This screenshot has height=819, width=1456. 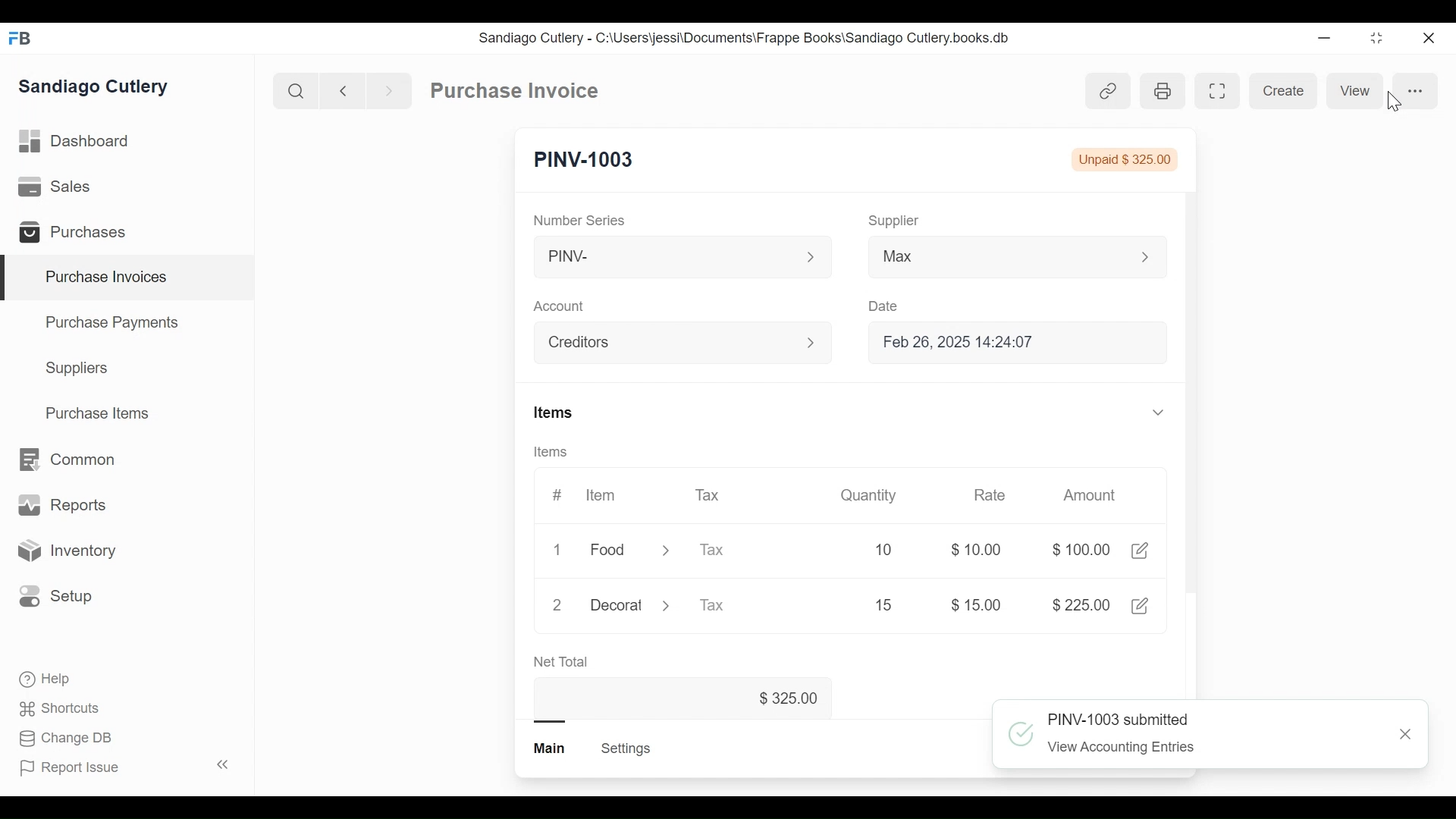 I want to click on Food, so click(x=612, y=551).